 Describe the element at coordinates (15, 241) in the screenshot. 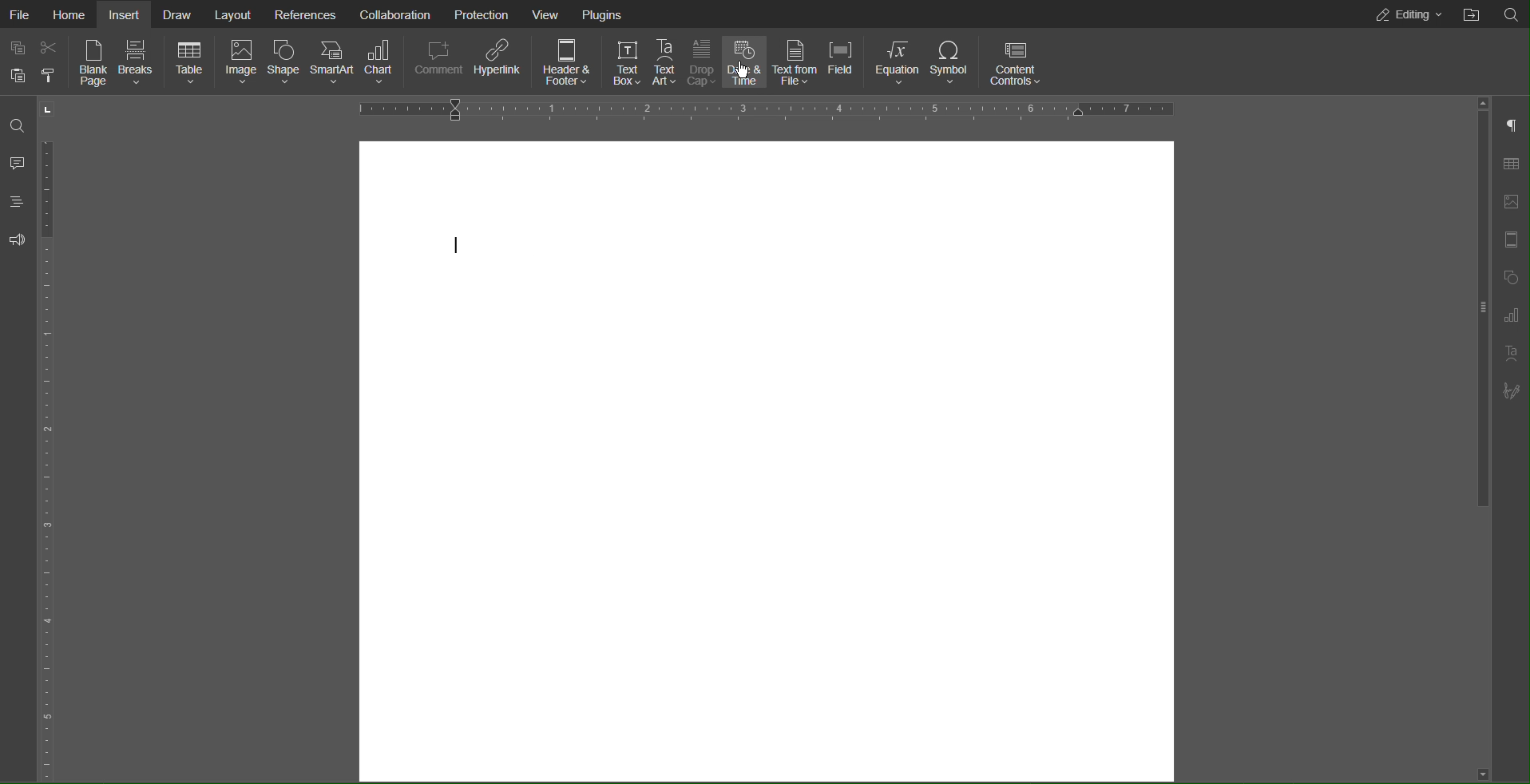

I see `Feedback and Support` at that location.